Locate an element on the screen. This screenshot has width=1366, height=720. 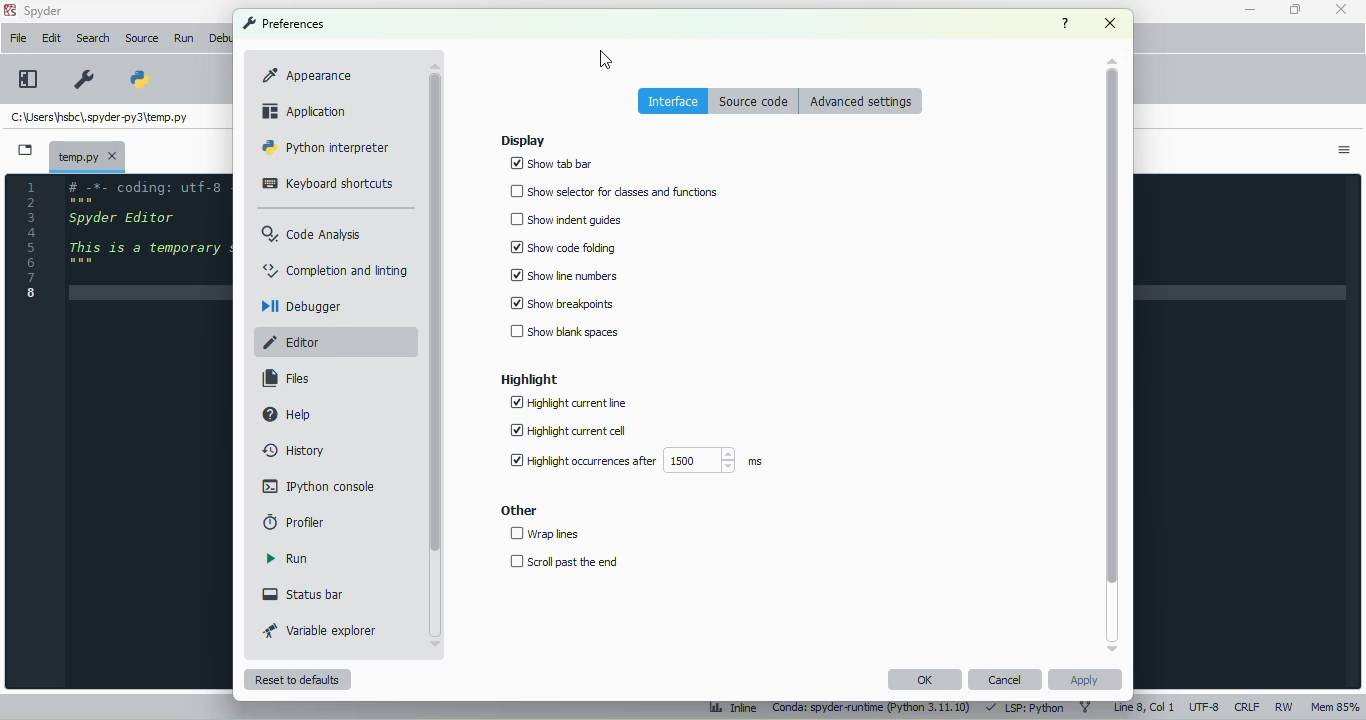
show code folding is located at coordinates (561, 248).